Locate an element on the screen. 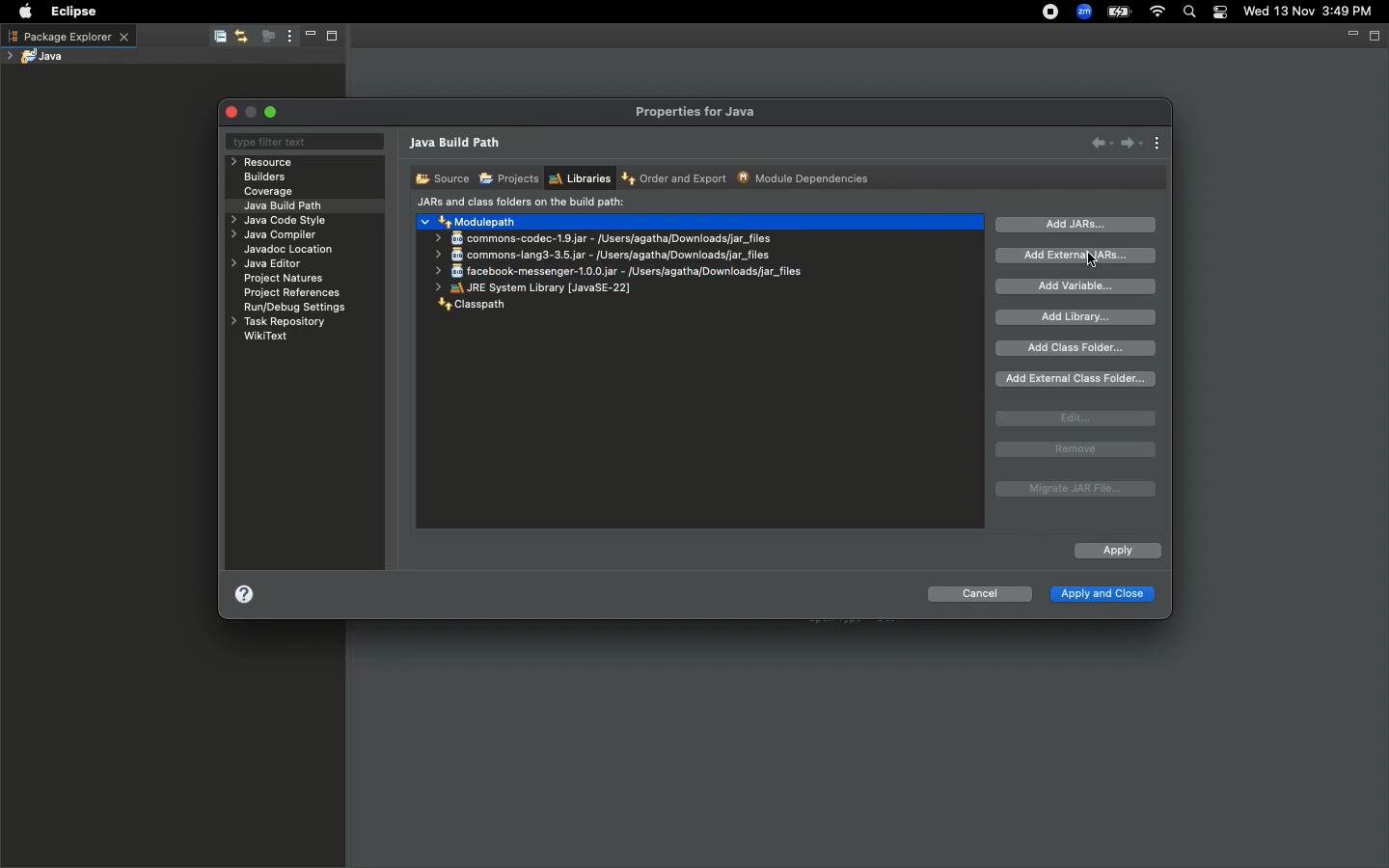  Java project is located at coordinates (40, 56).